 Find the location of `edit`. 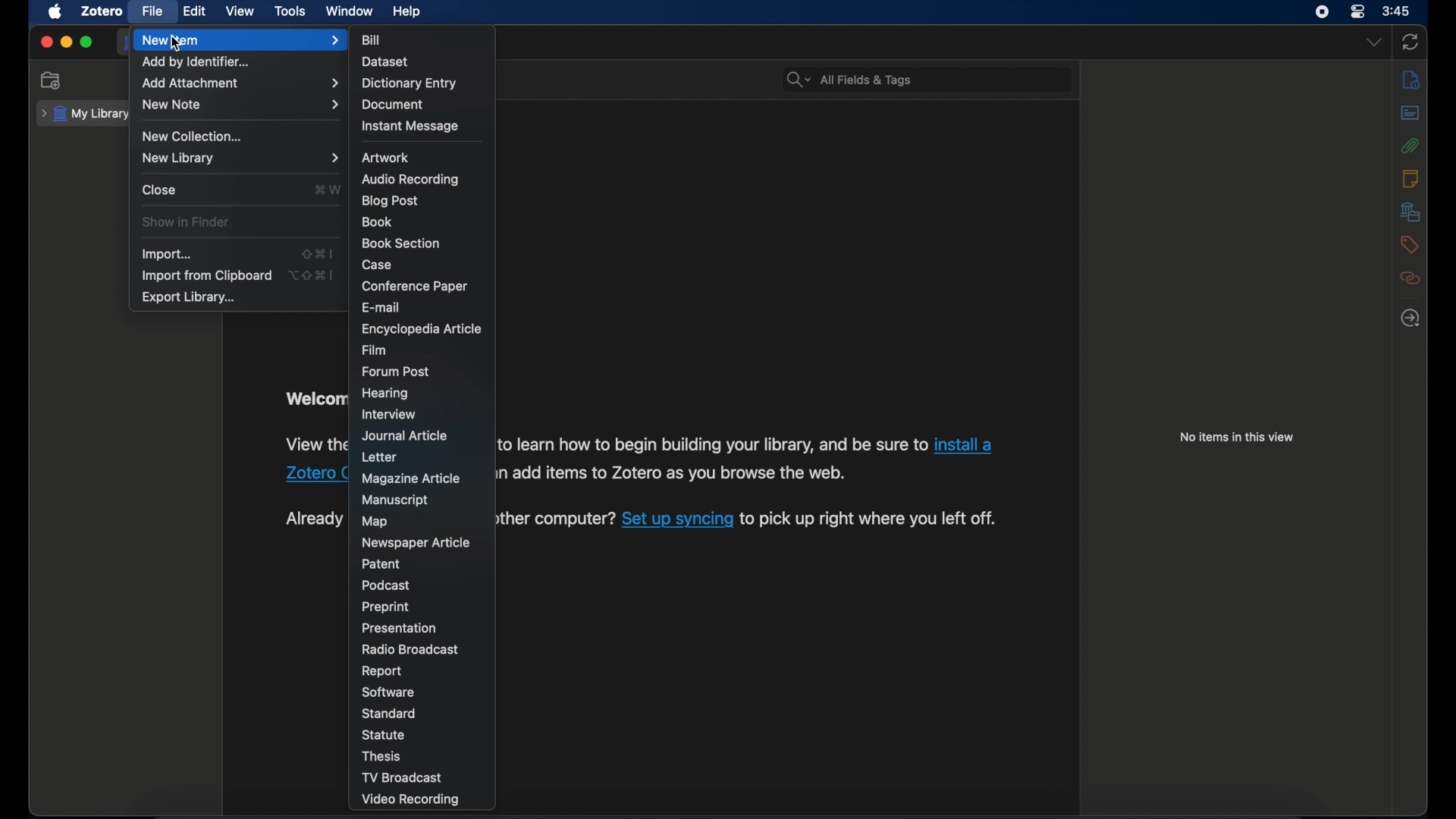

edit is located at coordinates (196, 12).